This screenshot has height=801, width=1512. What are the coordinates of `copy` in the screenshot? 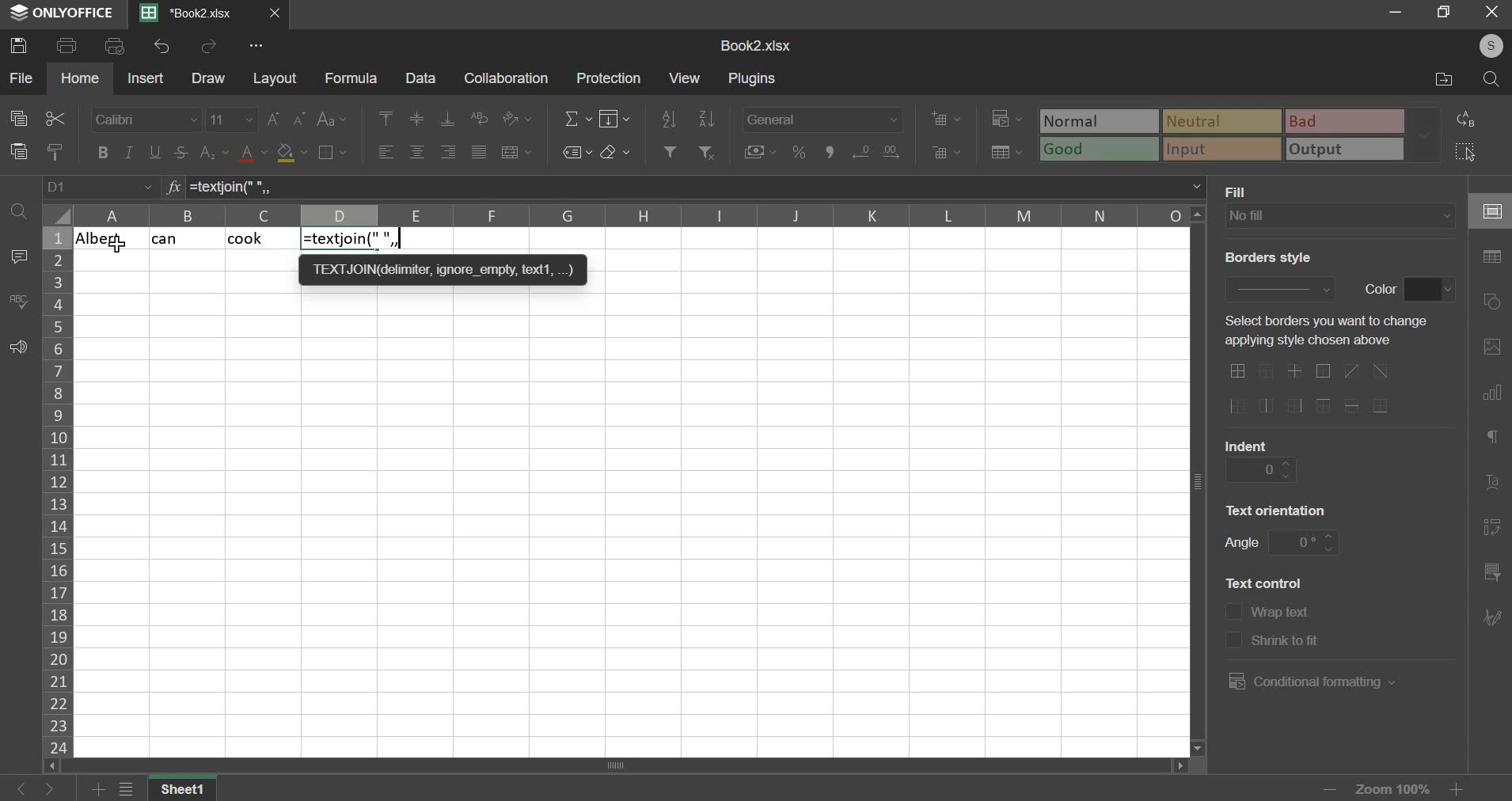 It's located at (18, 119).